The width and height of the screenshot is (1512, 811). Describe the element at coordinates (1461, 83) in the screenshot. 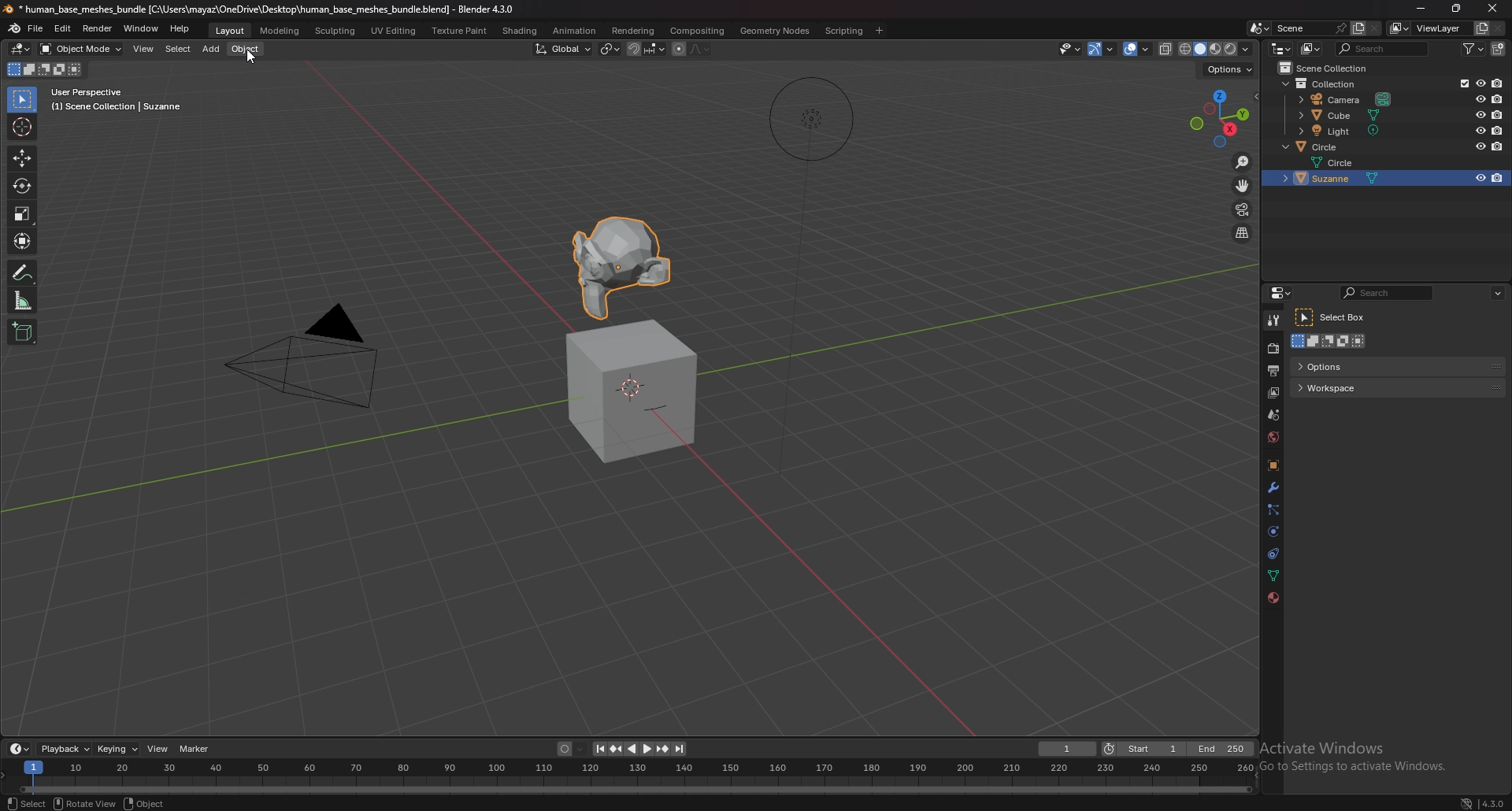

I see `exclude from viewlayer` at that location.